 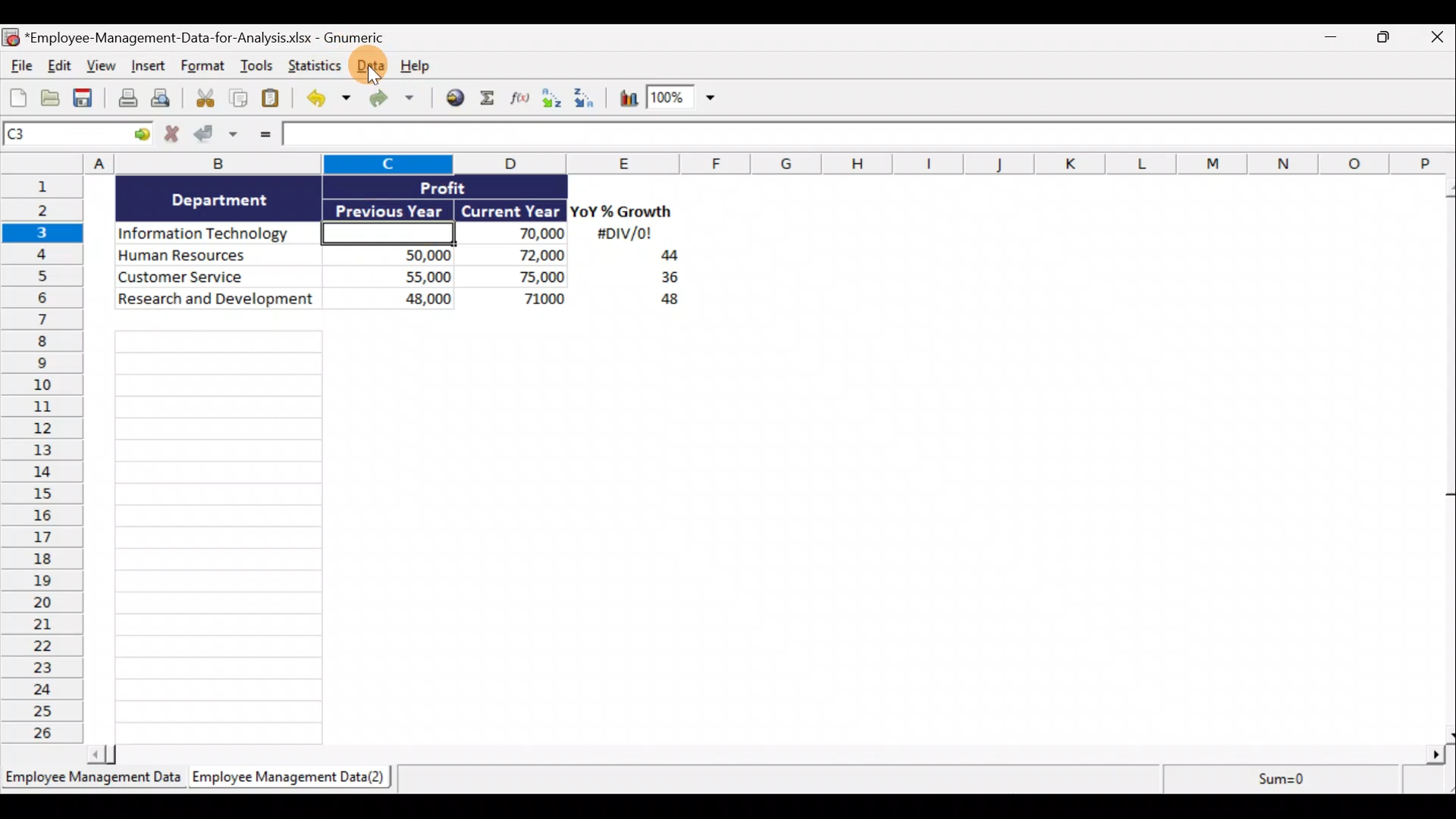 What do you see at coordinates (685, 101) in the screenshot?
I see `Zoom` at bounding box center [685, 101].